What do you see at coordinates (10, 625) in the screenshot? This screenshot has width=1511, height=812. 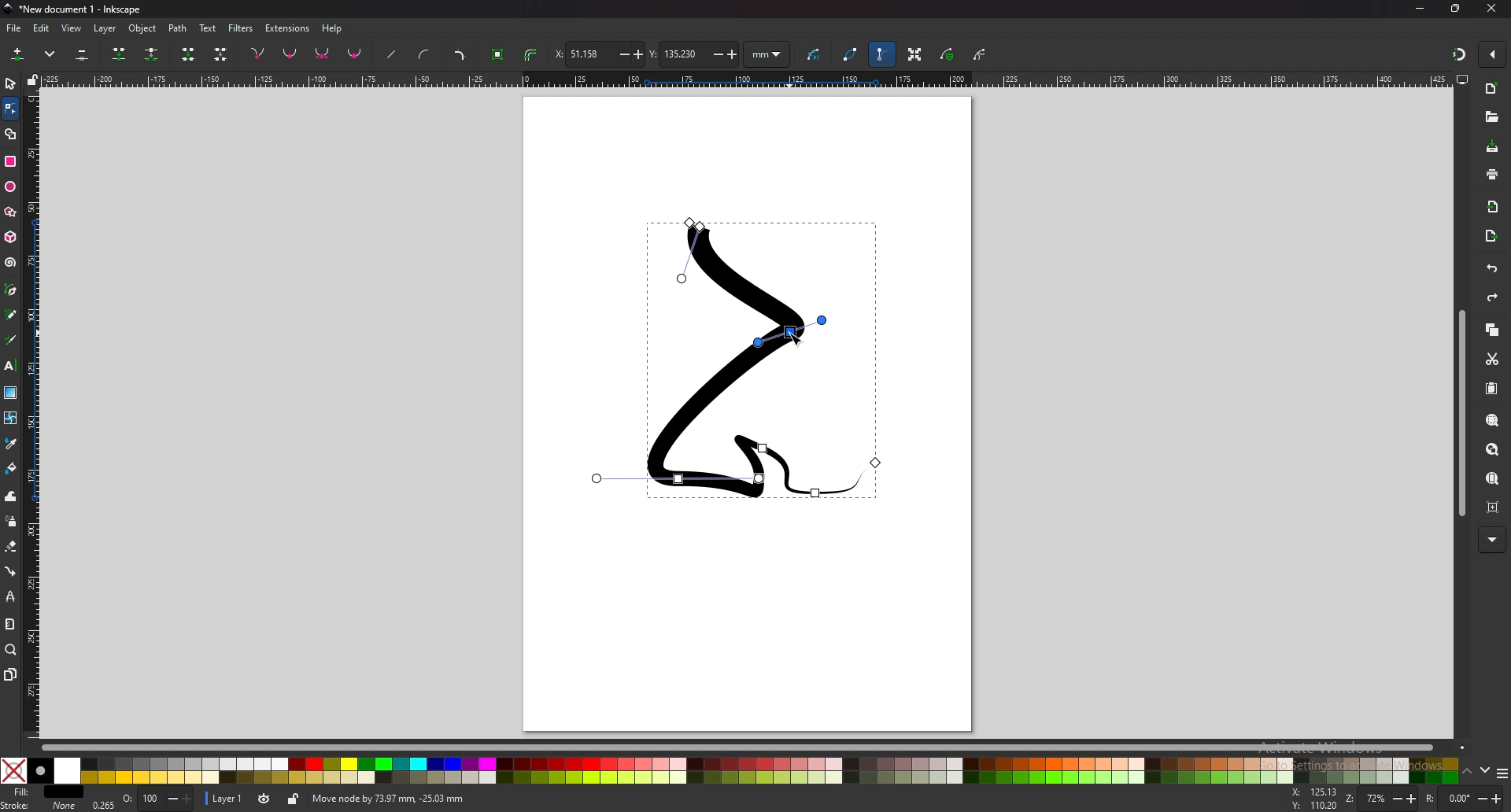 I see `measure` at bounding box center [10, 625].